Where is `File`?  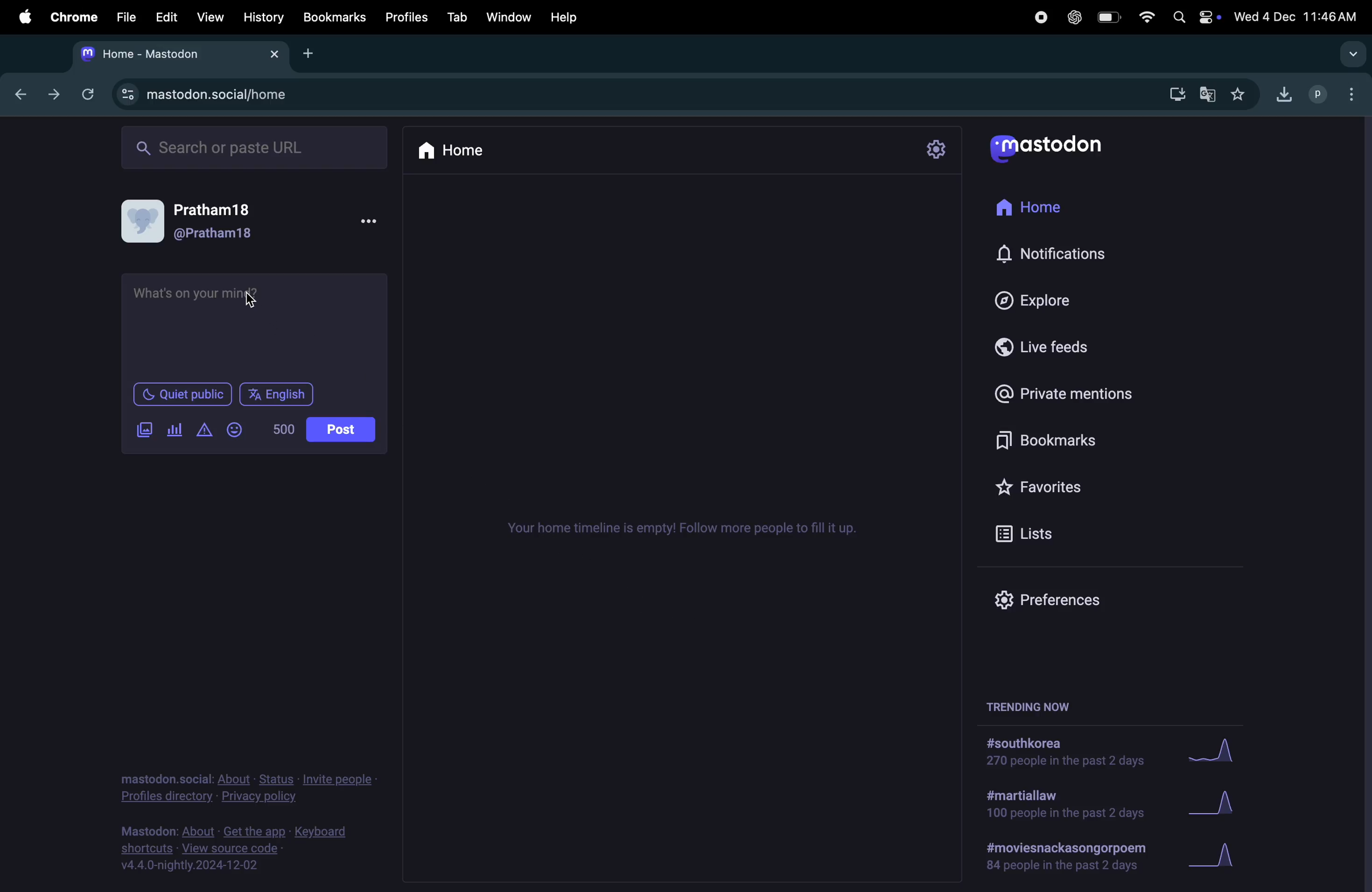
File is located at coordinates (123, 17).